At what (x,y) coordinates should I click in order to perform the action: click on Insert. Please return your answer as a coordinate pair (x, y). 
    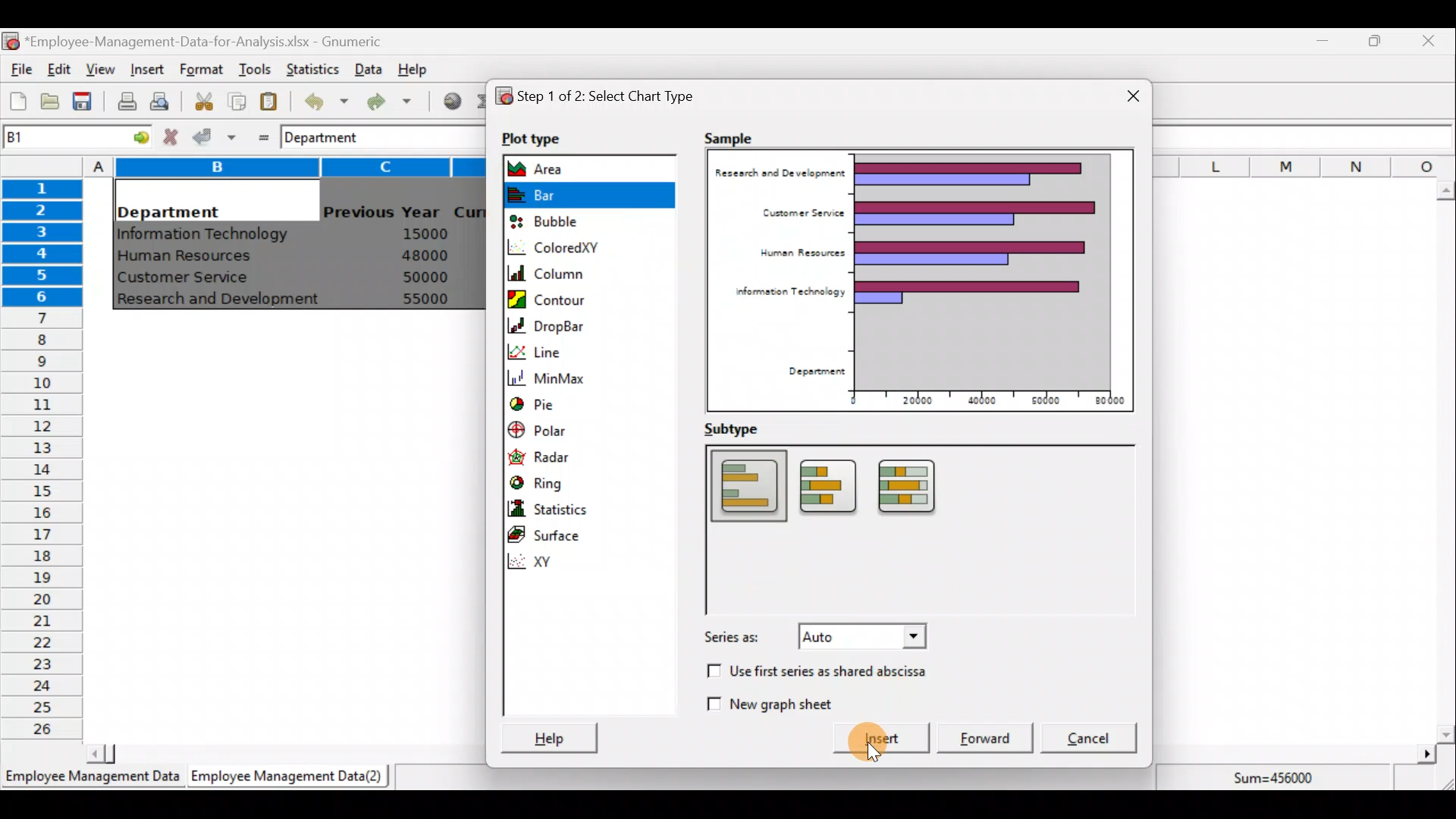
    Looking at the image, I should click on (883, 740).